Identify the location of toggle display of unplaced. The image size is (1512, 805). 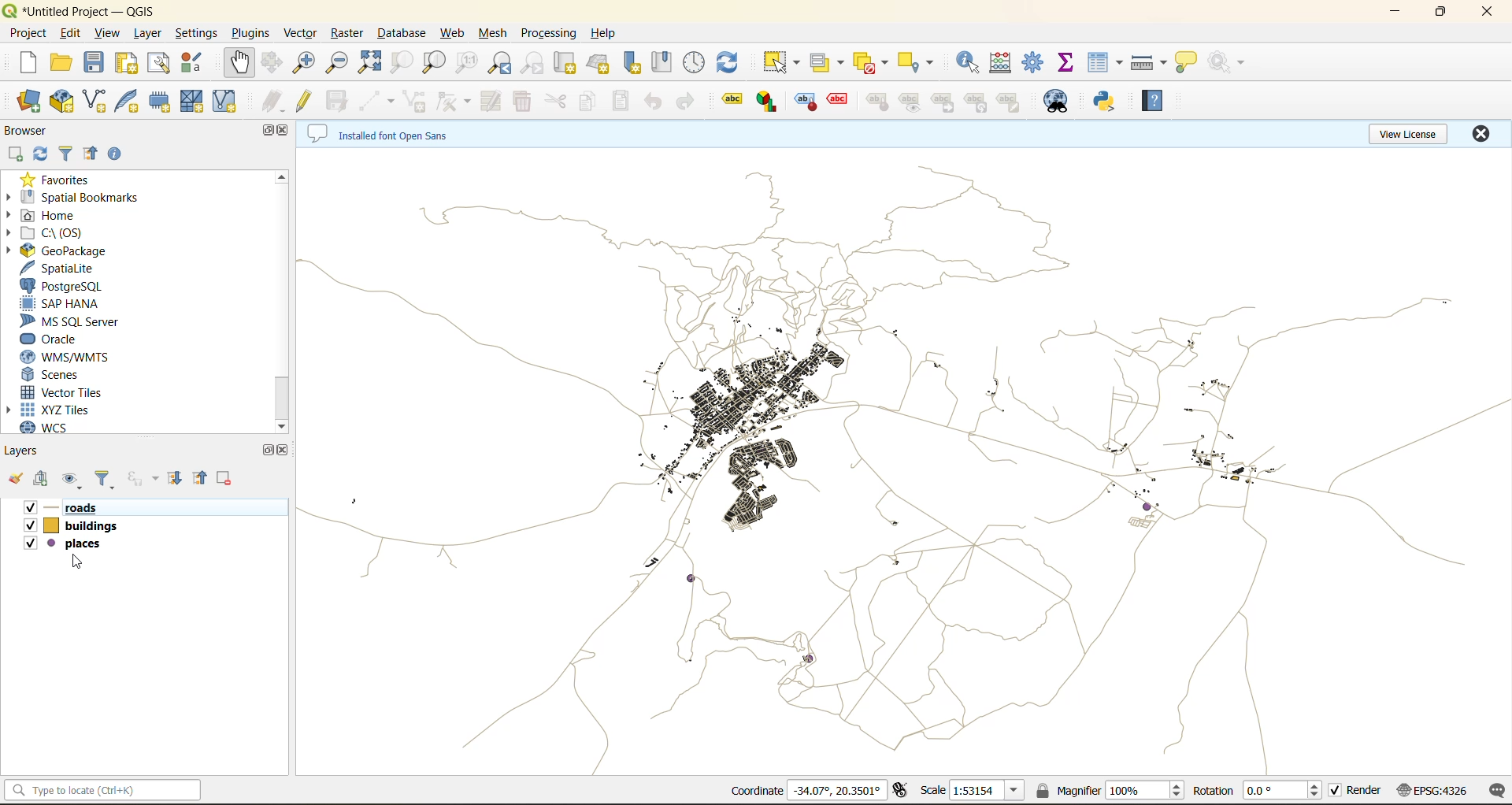
(836, 102).